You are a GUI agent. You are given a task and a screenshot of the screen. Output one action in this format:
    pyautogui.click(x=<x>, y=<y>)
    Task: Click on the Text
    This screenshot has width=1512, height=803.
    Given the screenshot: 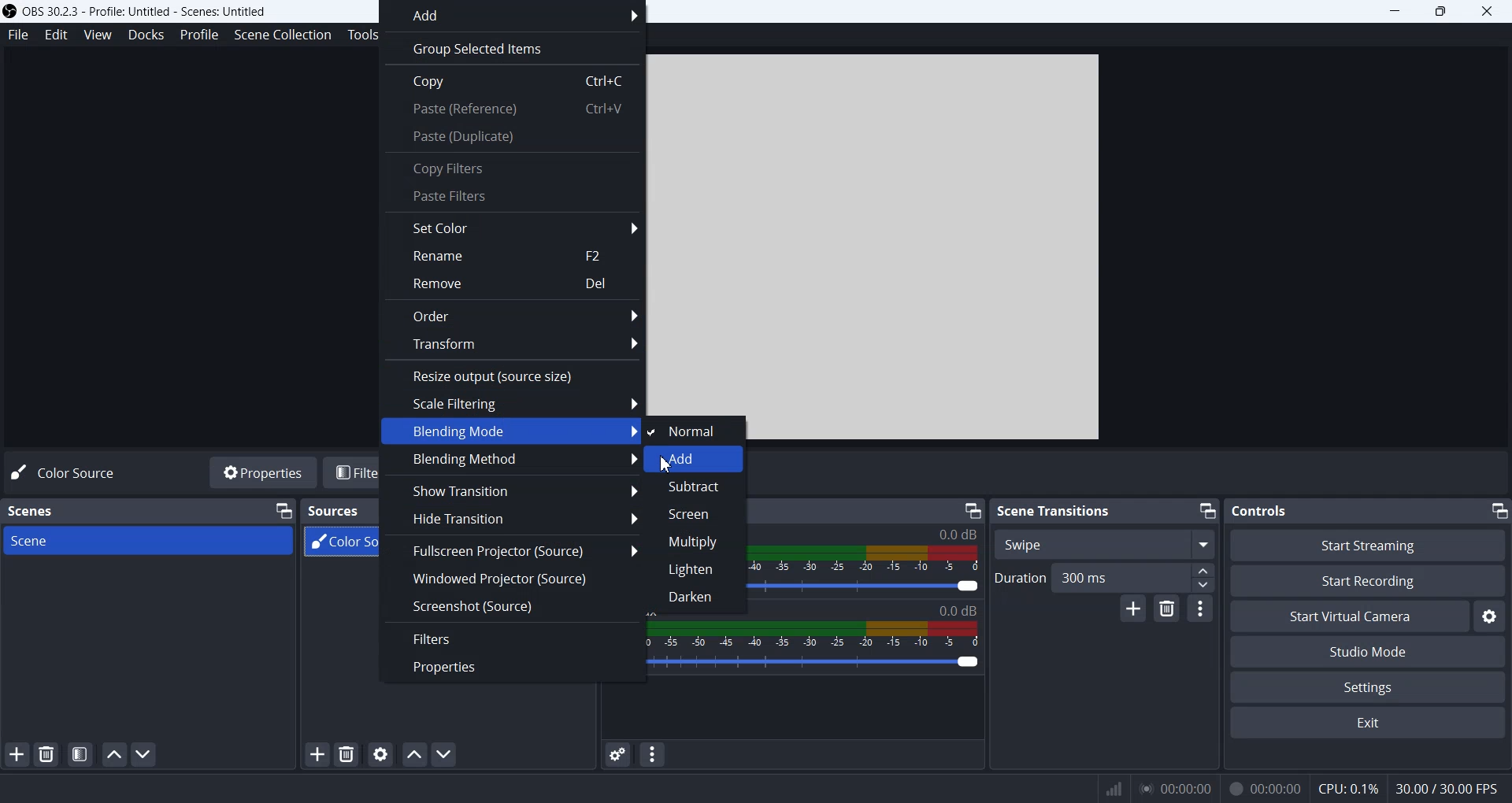 What is the action you would take?
    pyautogui.click(x=1262, y=510)
    